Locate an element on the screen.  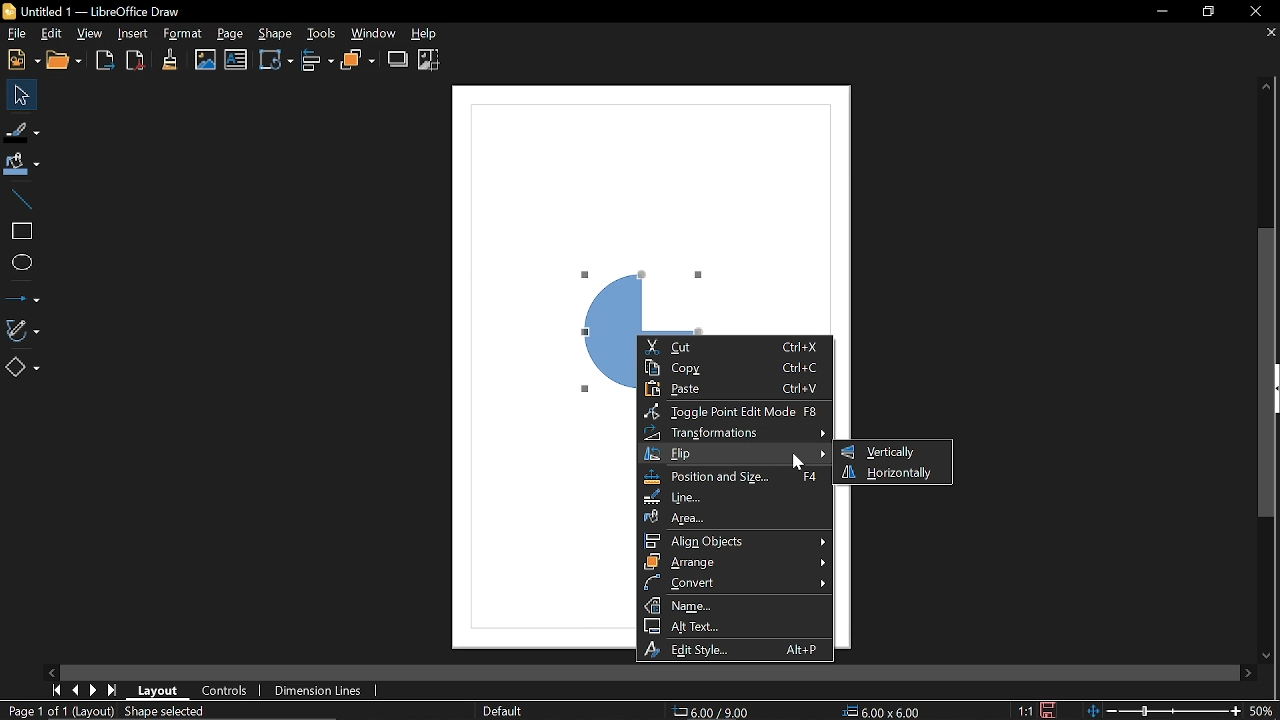
Close is located at coordinates (1256, 12).